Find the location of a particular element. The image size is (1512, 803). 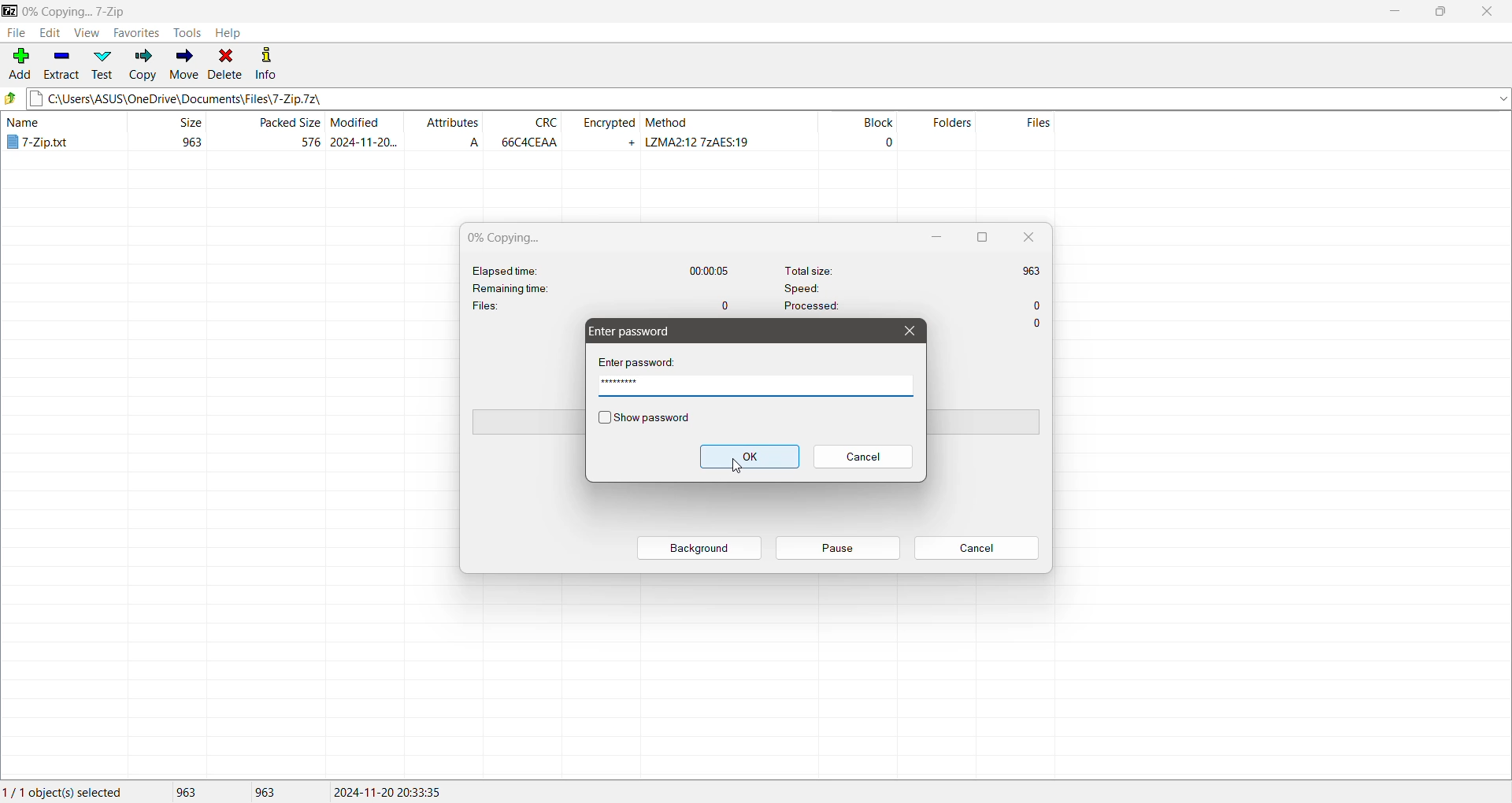

Password protected archive file is located at coordinates (55, 134).